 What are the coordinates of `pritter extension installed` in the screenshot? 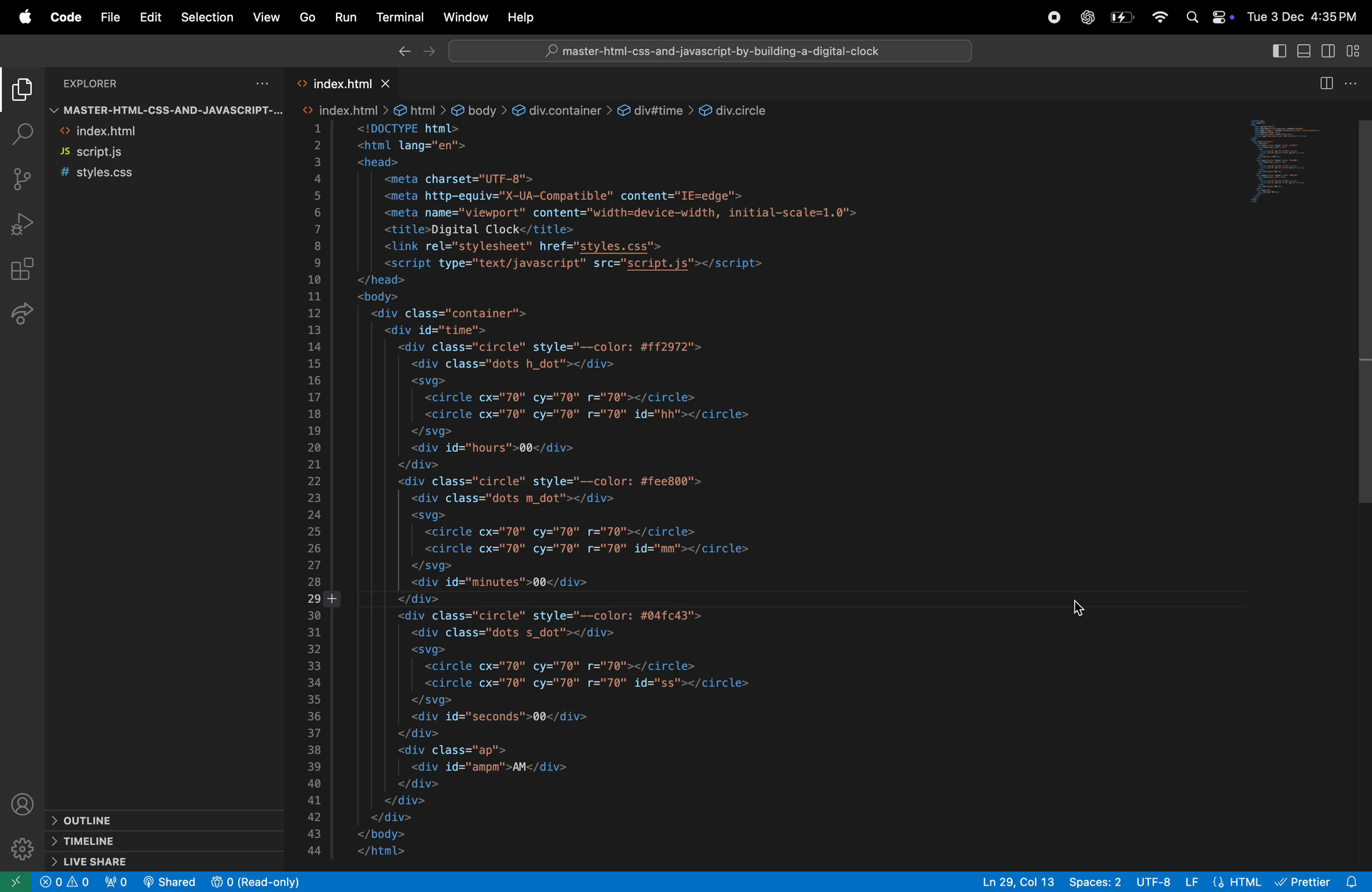 It's located at (1319, 880).